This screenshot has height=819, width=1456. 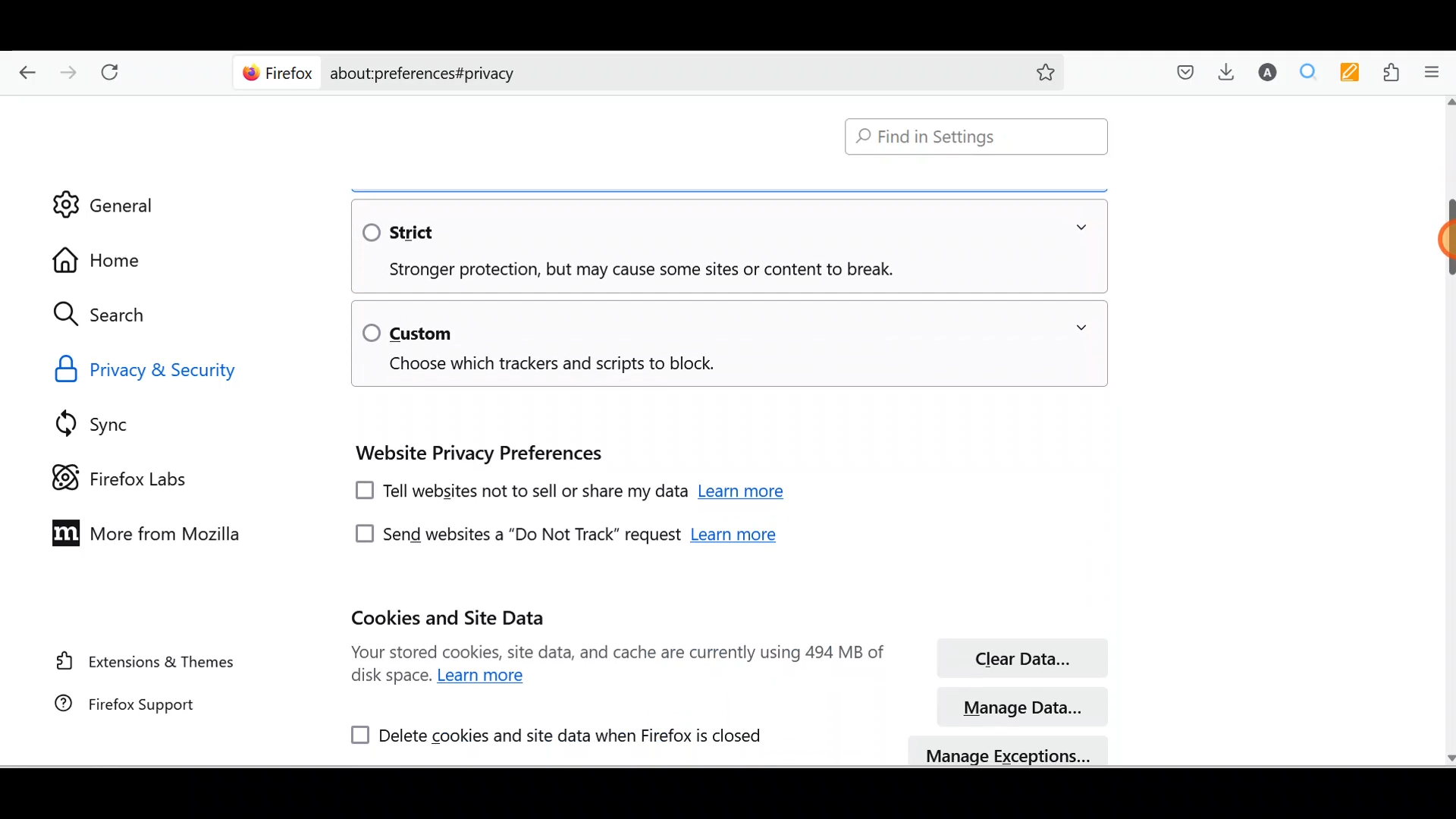 What do you see at coordinates (1228, 71) in the screenshot?
I see `Downloads` at bounding box center [1228, 71].